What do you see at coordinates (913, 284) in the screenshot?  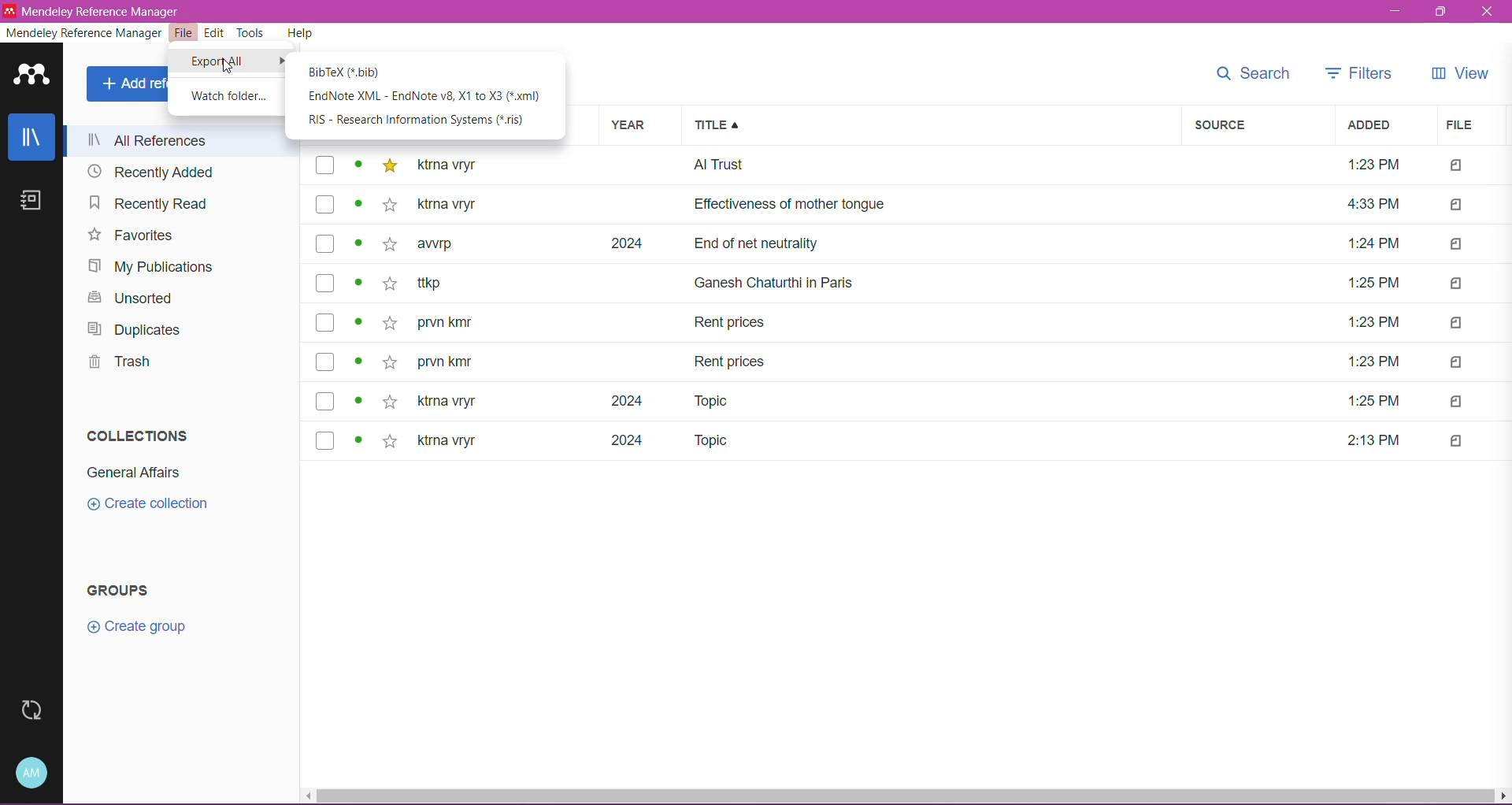 I see `ttkp Ganesh Chaturthi in Paris 1:25 PM` at bounding box center [913, 284].